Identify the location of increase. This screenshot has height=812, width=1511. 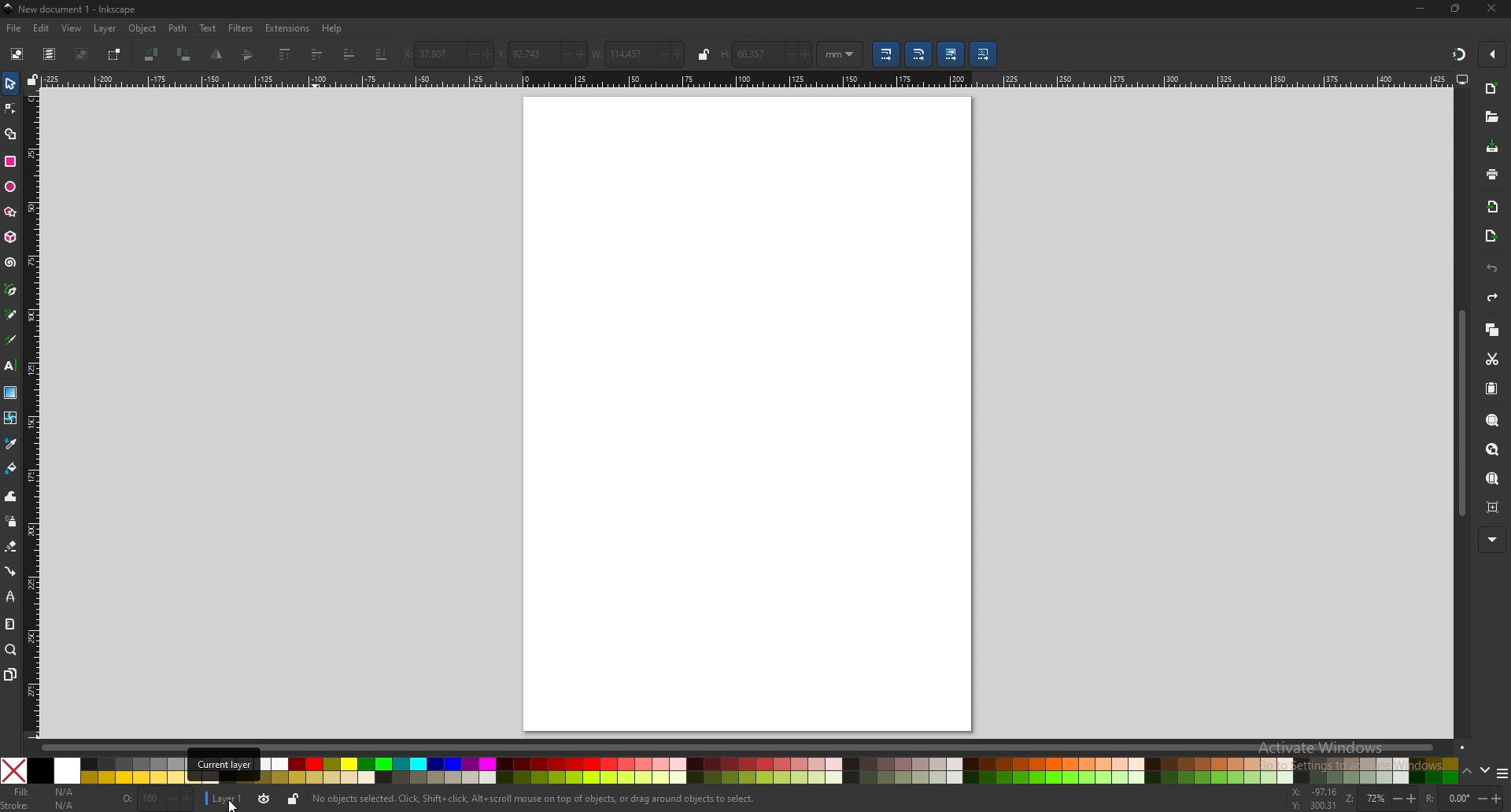
(805, 55).